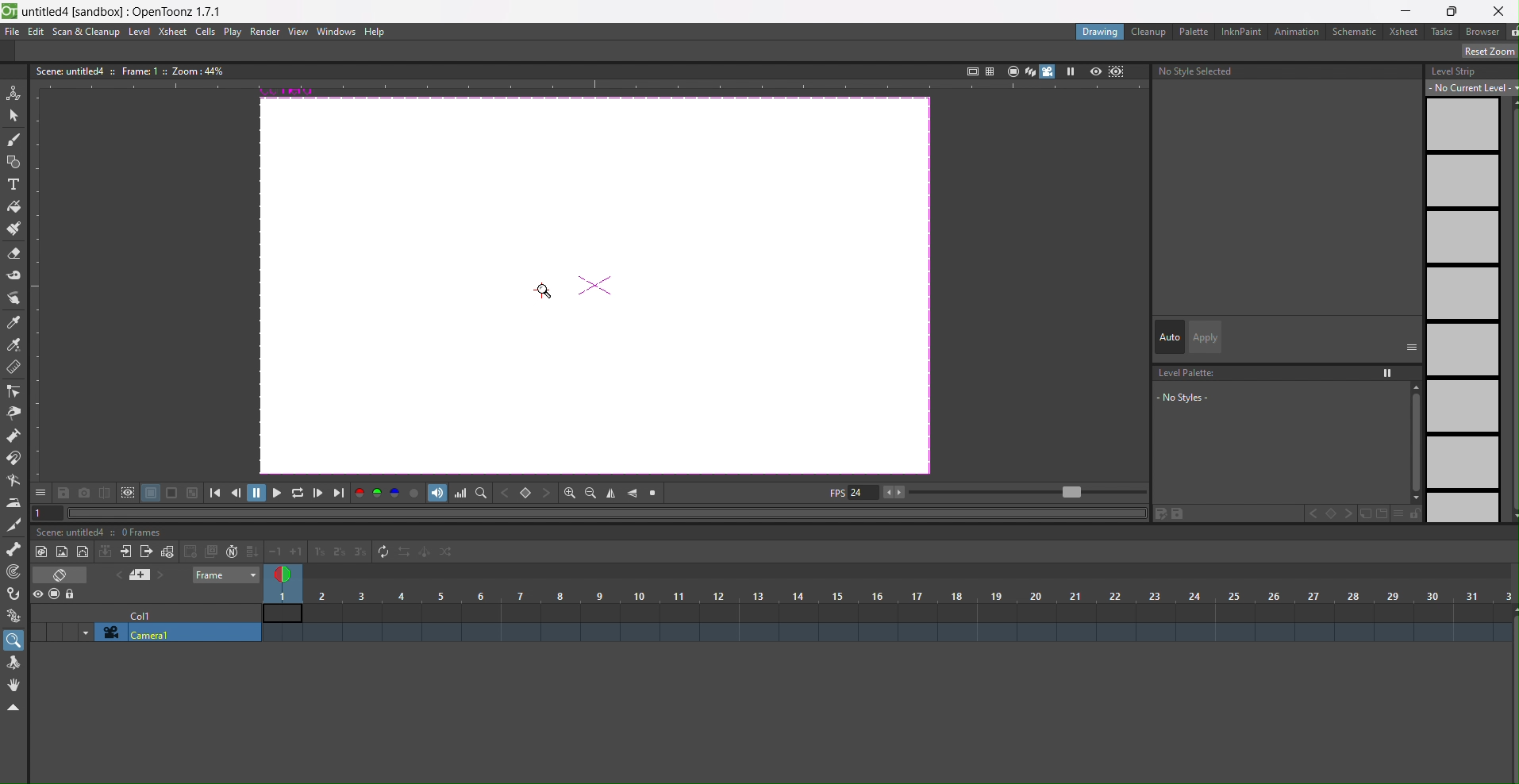 The width and height of the screenshot is (1519, 784). What do you see at coordinates (200, 551) in the screenshot?
I see `icon` at bounding box center [200, 551].